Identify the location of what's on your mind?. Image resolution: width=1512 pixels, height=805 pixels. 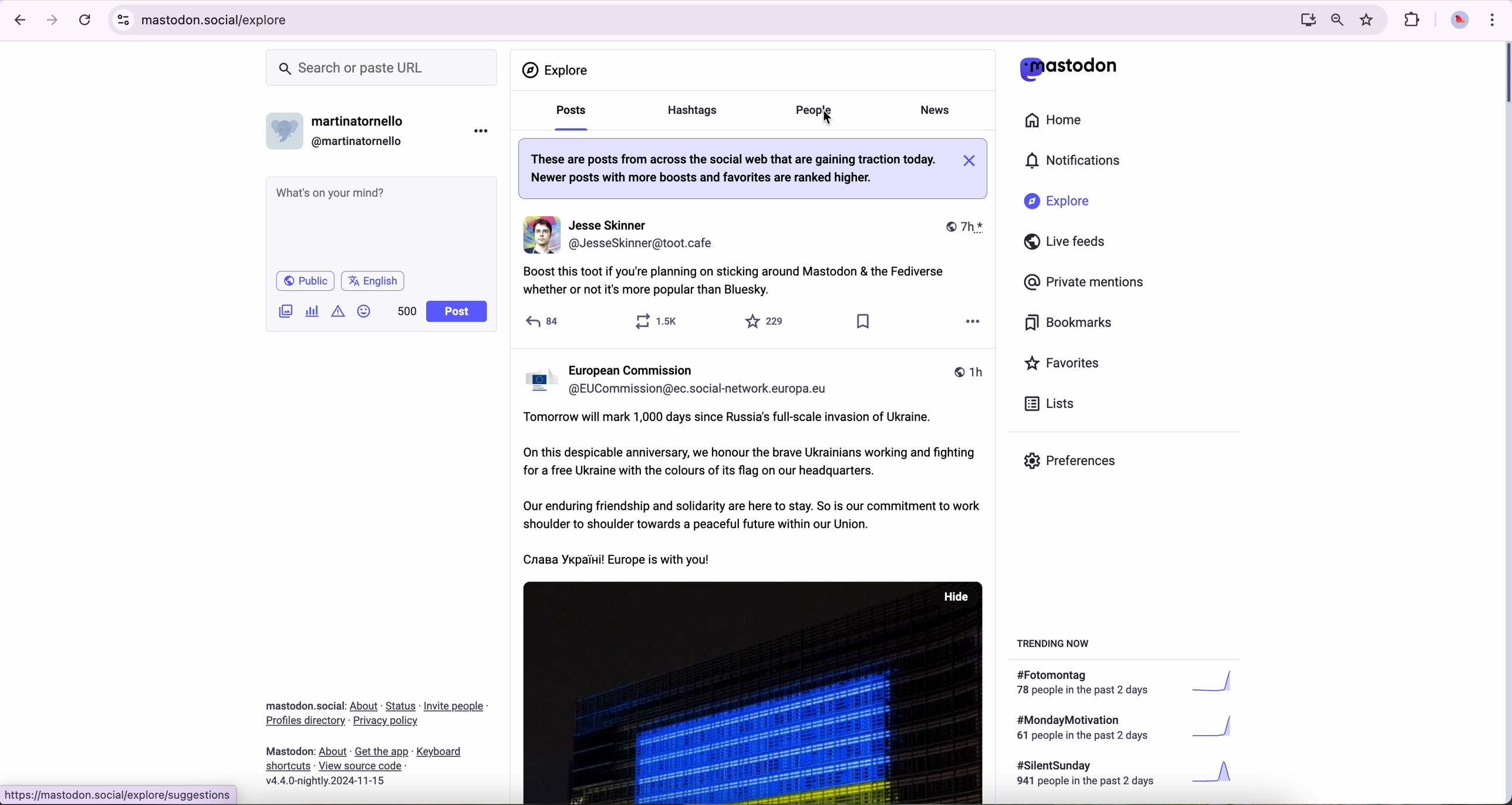
(380, 221).